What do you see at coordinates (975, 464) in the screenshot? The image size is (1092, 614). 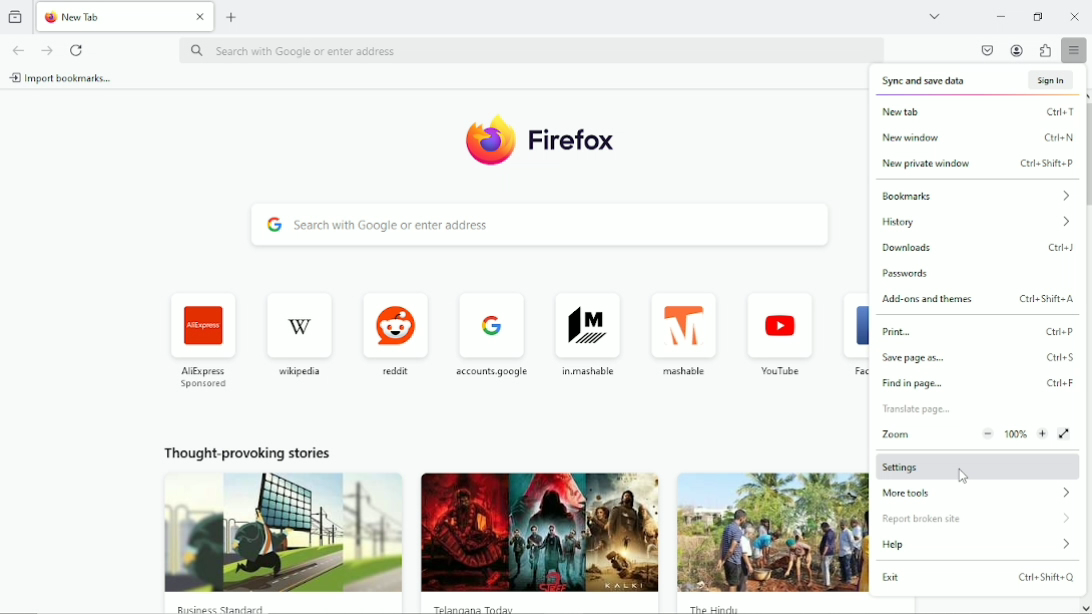 I see `settings` at bounding box center [975, 464].